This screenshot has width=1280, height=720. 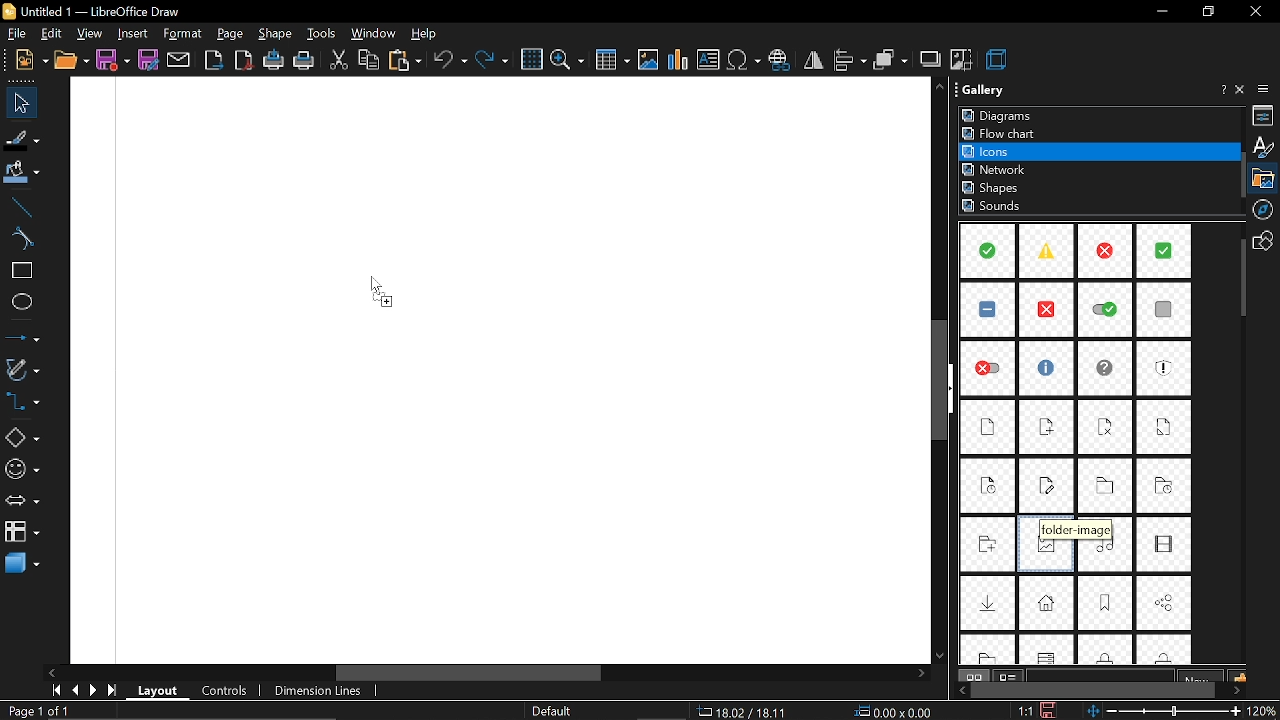 I want to click on Items in icons, so click(x=1078, y=445).